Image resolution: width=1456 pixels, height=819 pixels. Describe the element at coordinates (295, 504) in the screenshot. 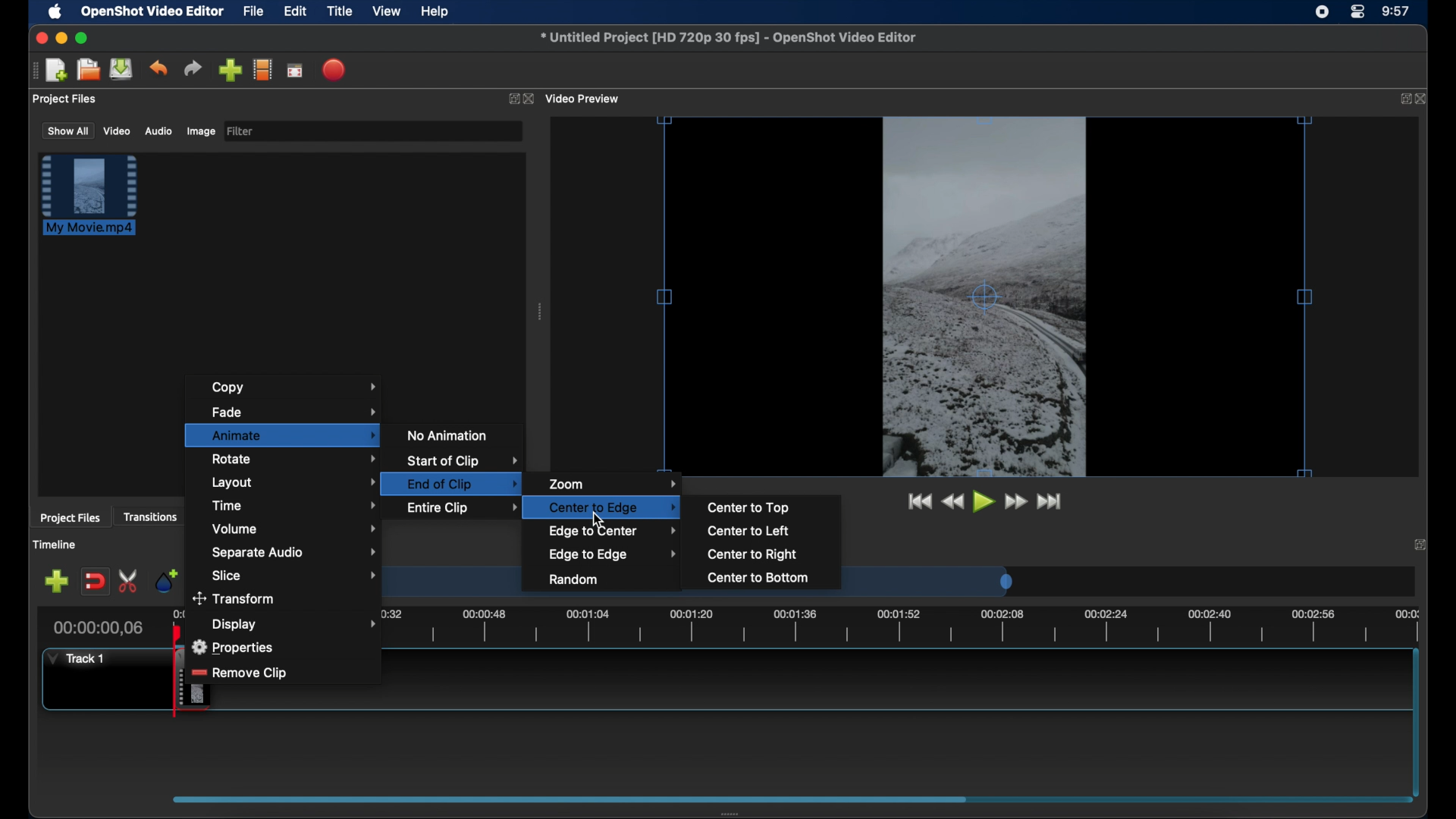

I see `time menu` at that location.